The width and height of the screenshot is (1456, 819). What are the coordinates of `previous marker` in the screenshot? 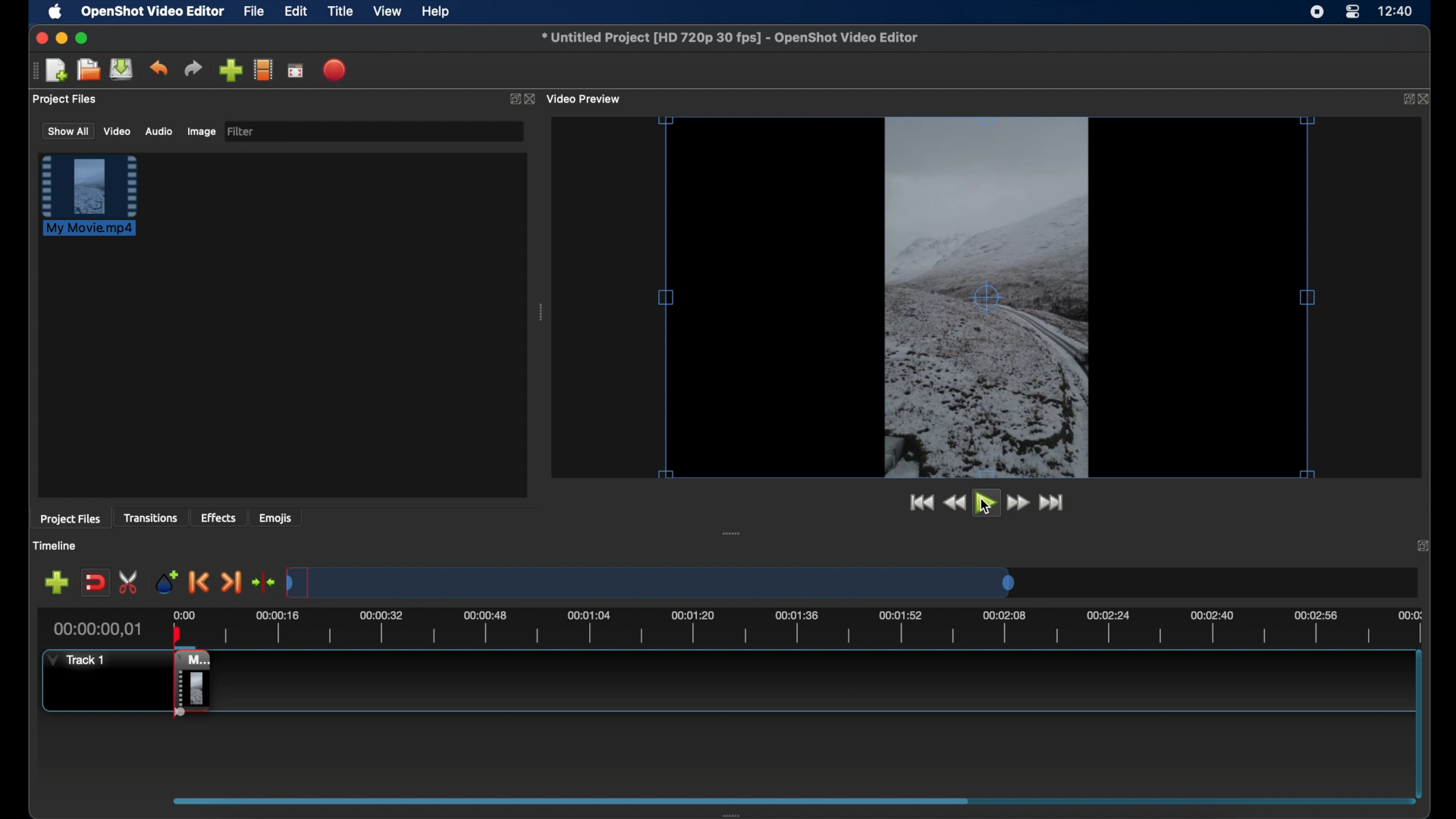 It's located at (197, 582).